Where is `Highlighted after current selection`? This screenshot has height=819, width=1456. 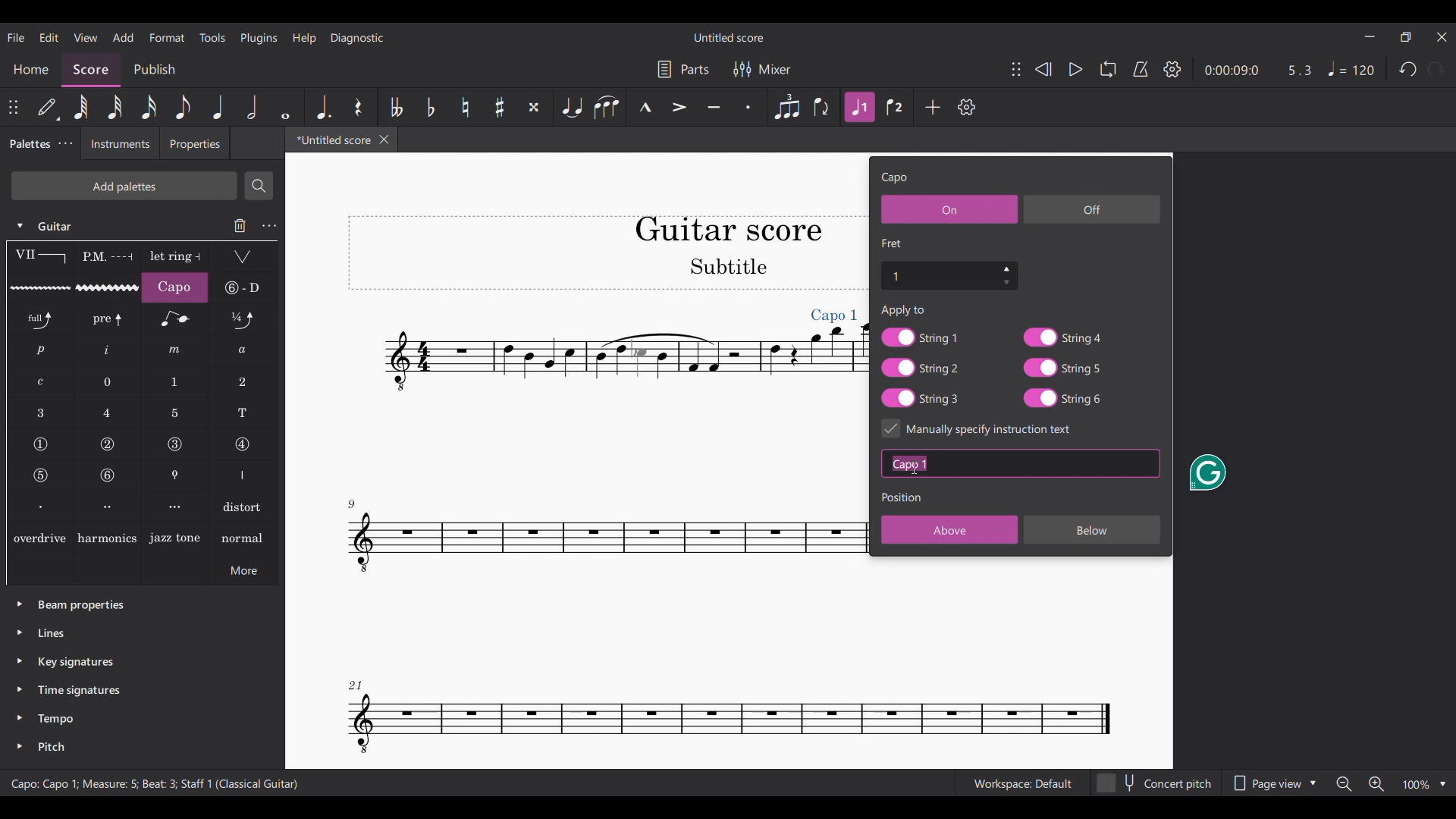
Highlighted after current selection is located at coordinates (861, 108).